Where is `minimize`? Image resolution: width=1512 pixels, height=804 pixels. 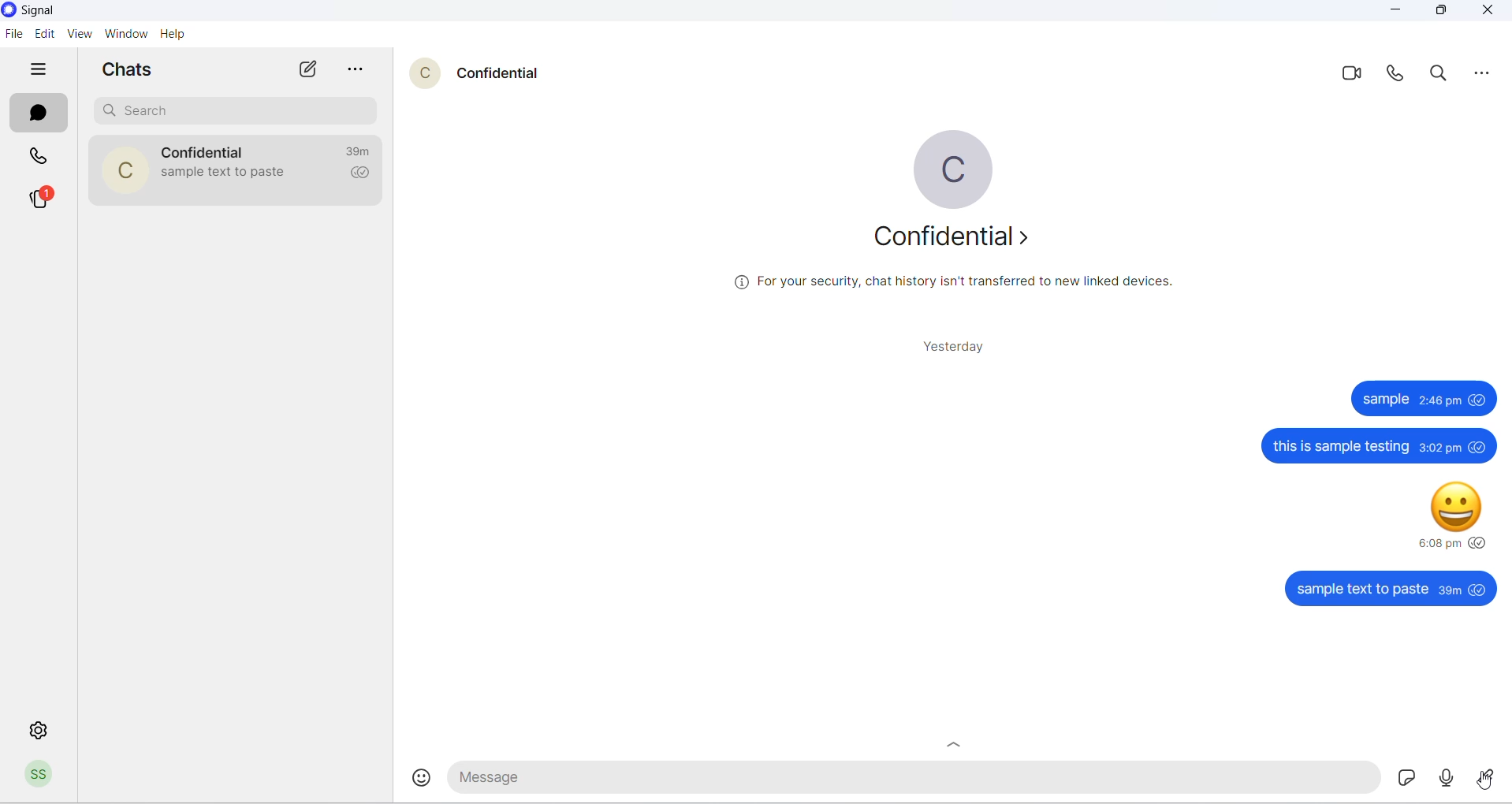
minimize is located at coordinates (1397, 12).